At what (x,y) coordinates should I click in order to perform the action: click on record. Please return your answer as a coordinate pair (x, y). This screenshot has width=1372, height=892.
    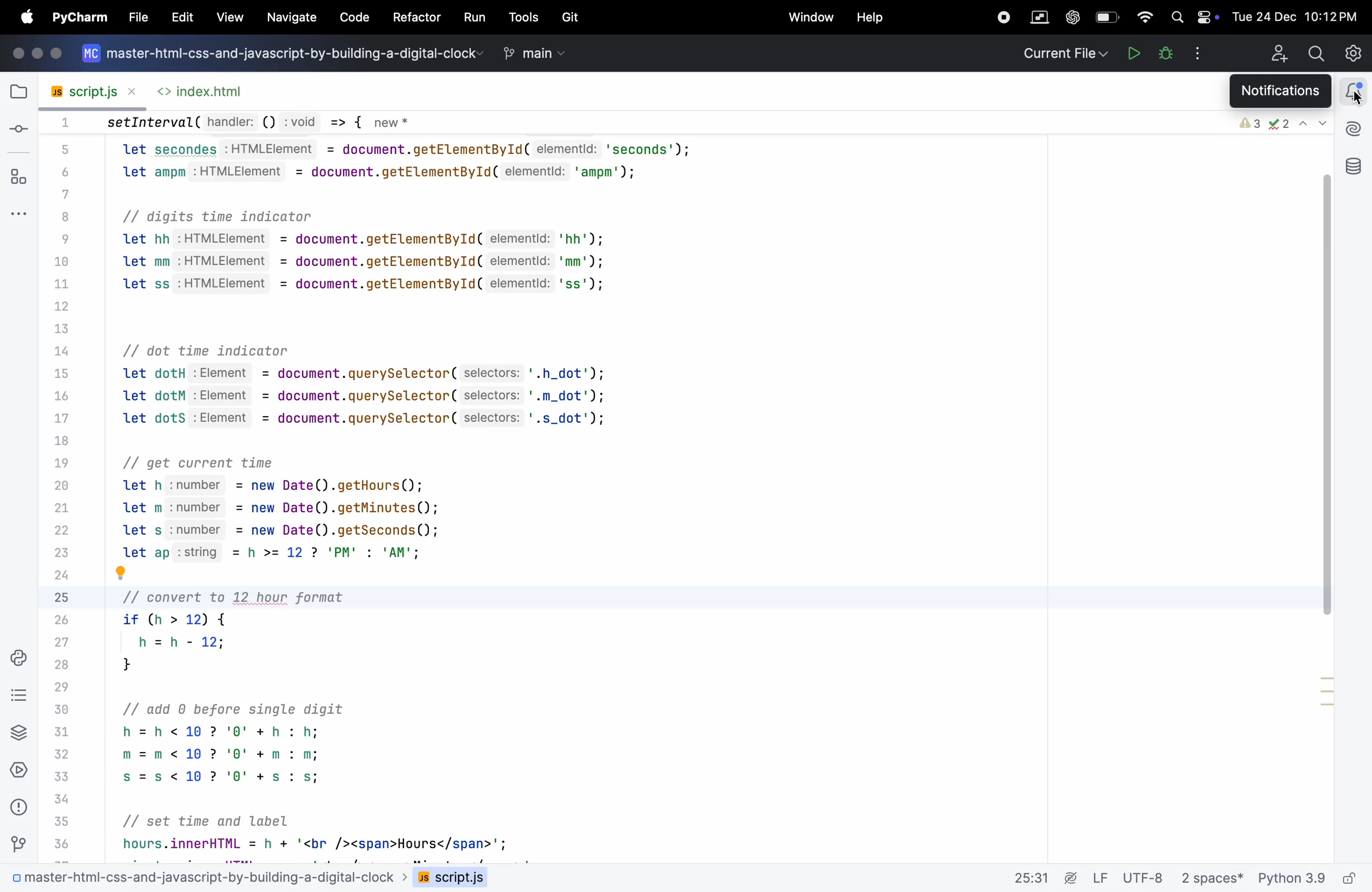
    Looking at the image, I should click on (1001, 17).